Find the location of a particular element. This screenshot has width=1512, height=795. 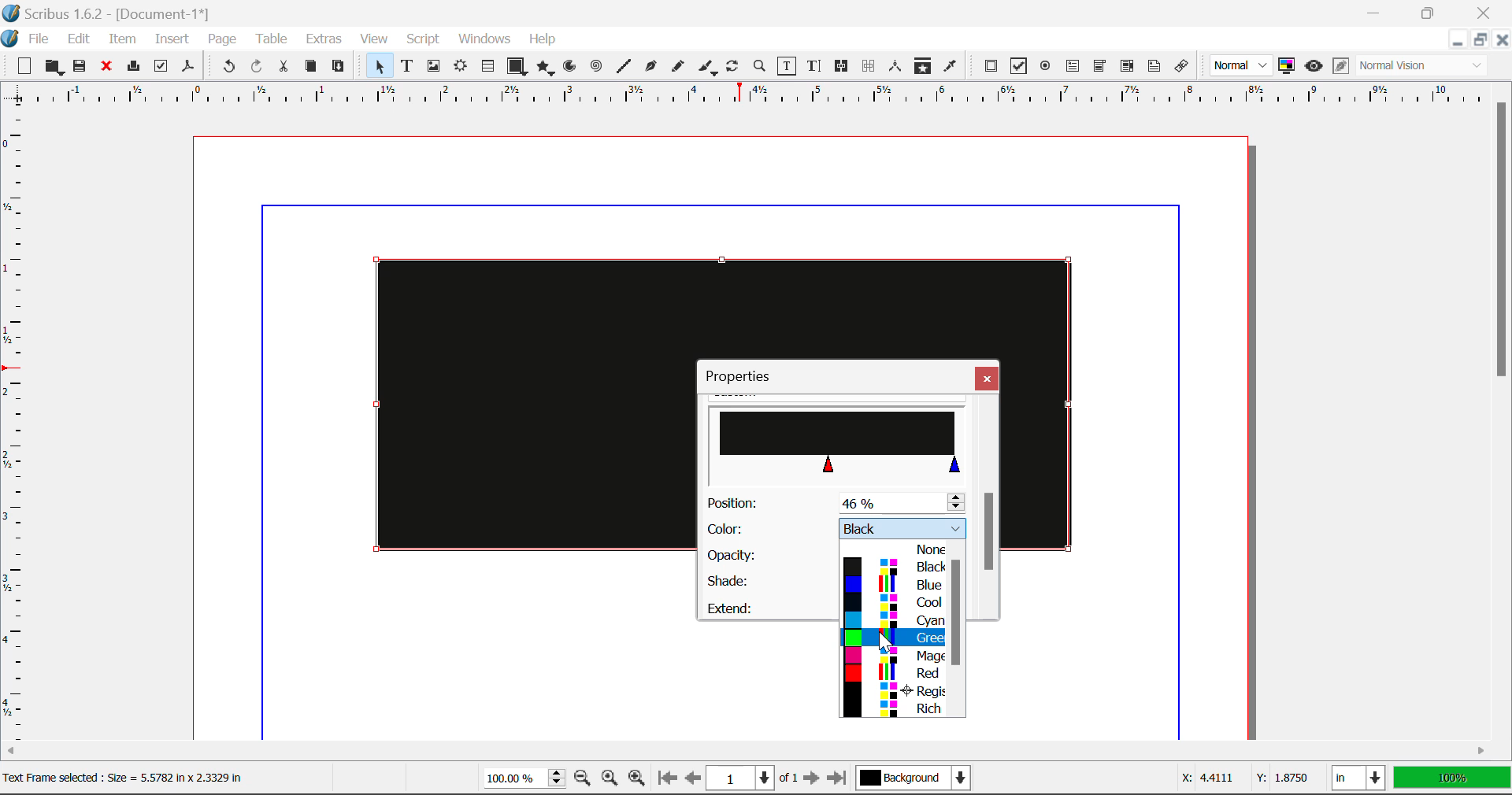

Restore Down is located at coordinates (1376, 11).